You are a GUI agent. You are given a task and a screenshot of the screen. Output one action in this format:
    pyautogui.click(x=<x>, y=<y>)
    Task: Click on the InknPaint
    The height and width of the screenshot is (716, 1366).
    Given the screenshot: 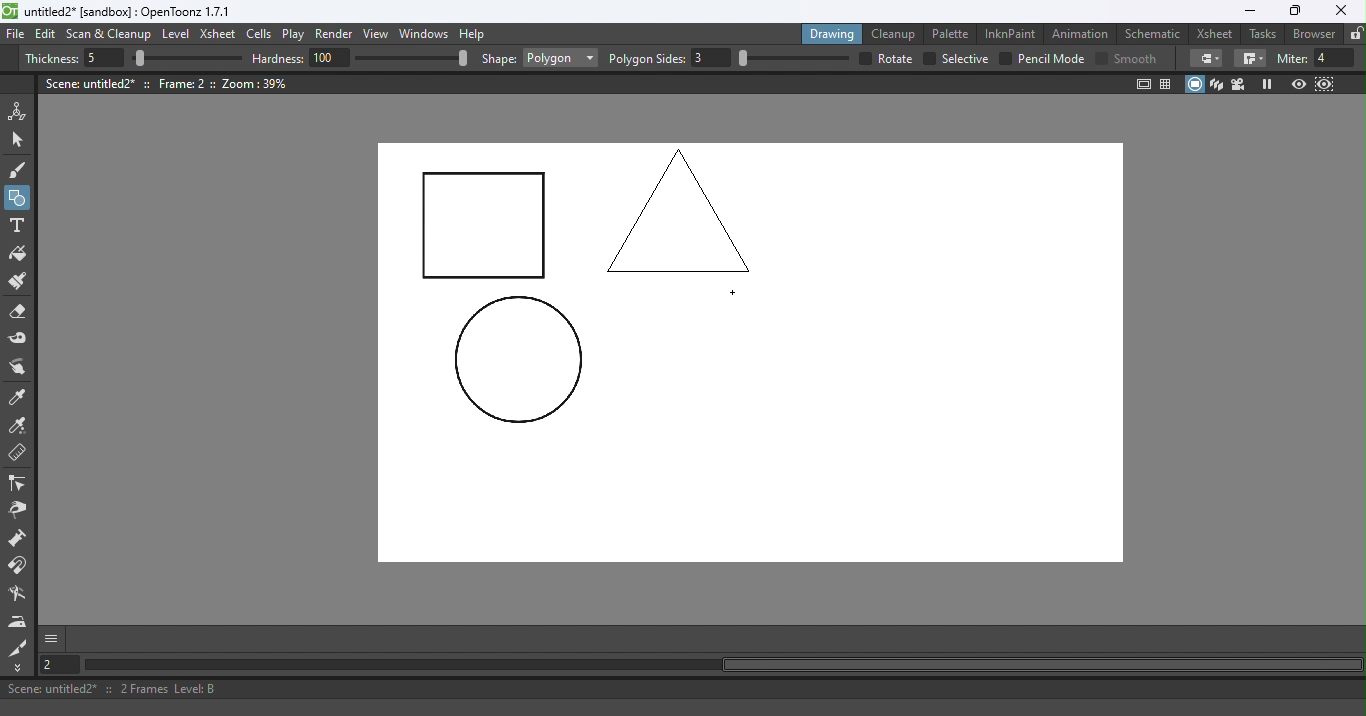 What is the action you would take?
    pyautogui.click(x=1011, y=32)
    